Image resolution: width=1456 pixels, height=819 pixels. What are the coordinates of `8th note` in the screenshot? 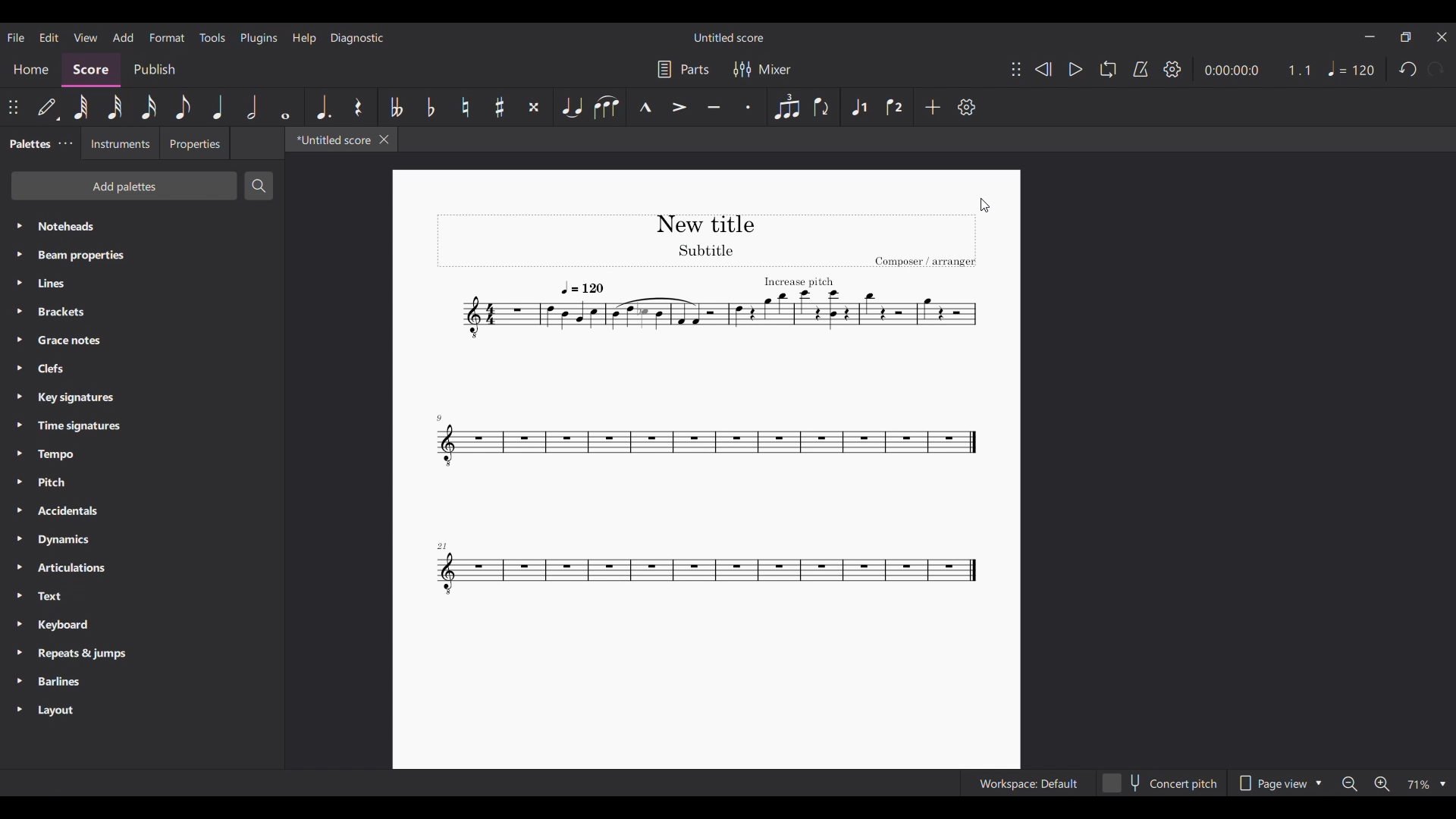 It's located at (184, 107).